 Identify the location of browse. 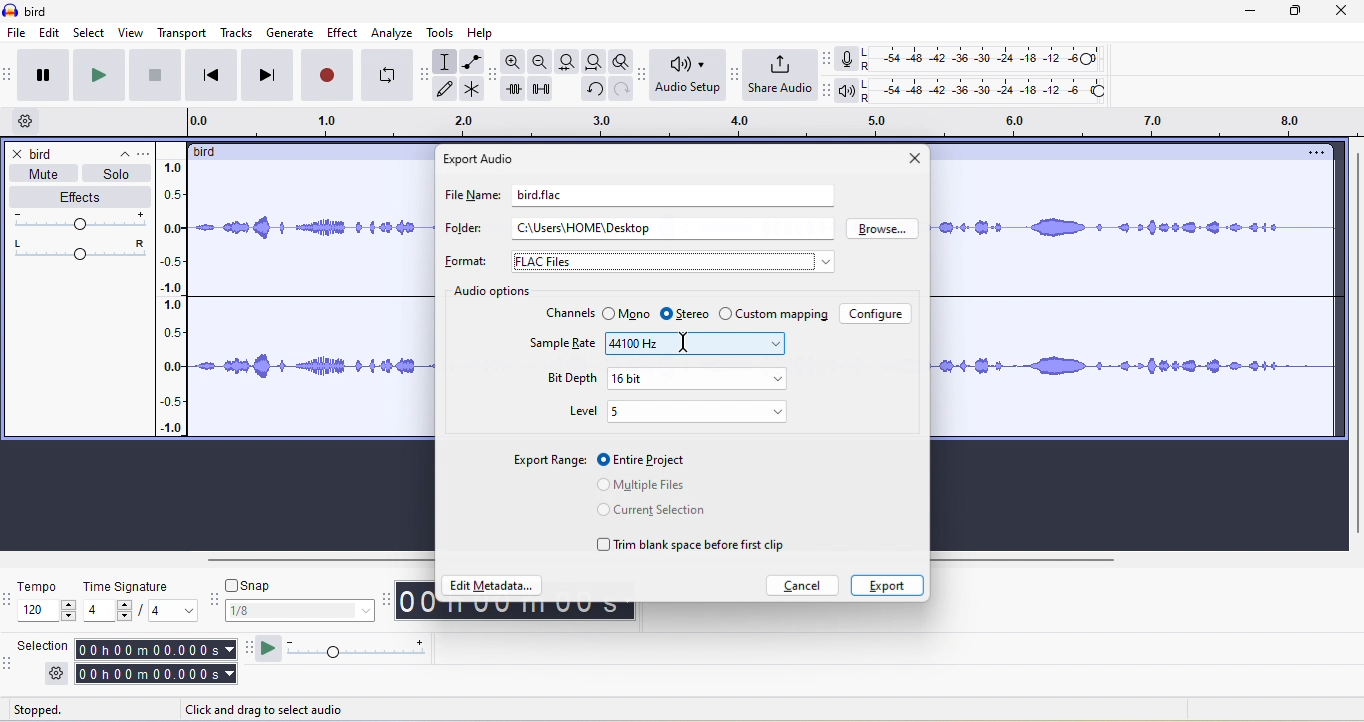
(882, 229).